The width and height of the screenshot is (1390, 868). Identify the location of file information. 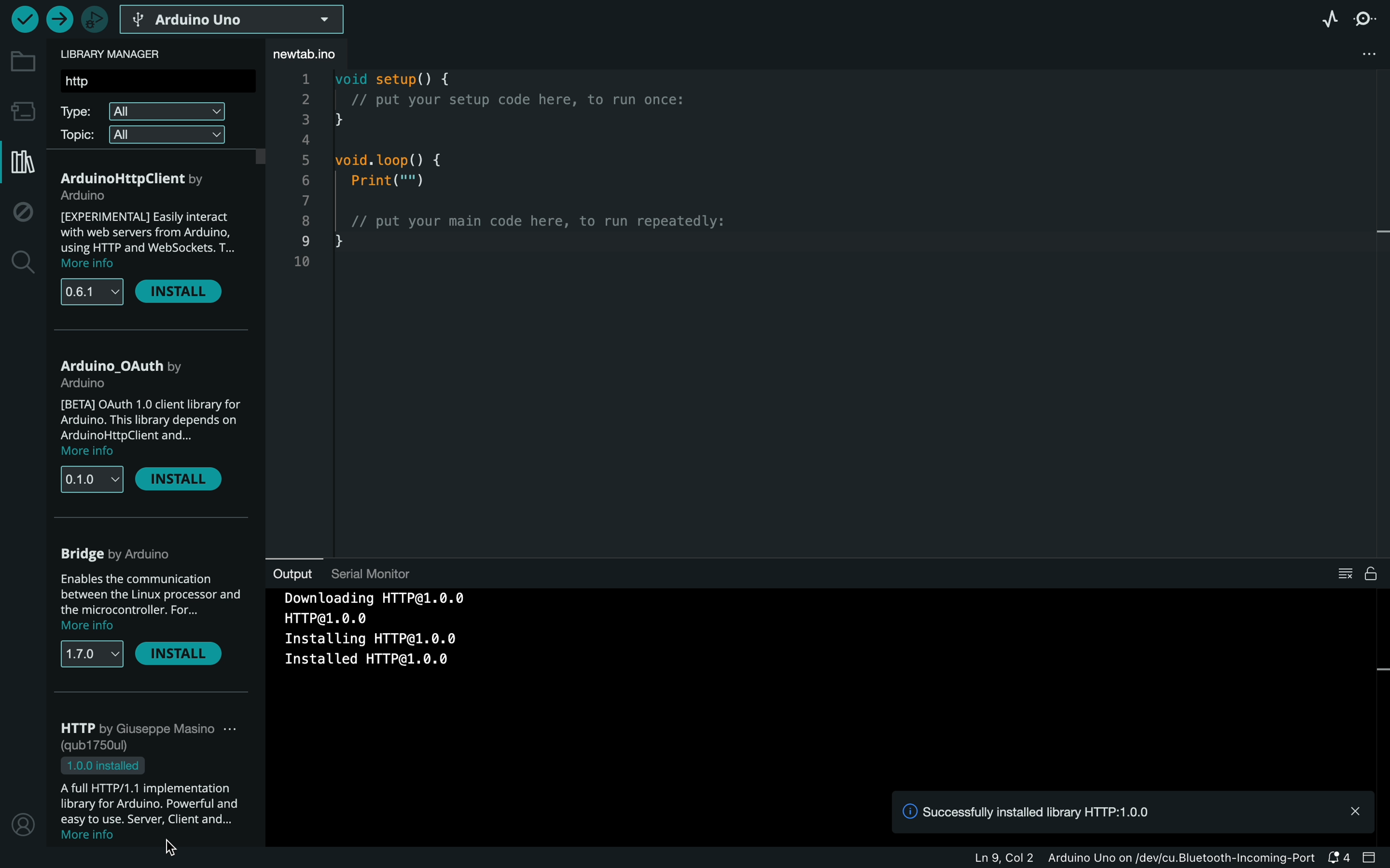
(1125, 853).